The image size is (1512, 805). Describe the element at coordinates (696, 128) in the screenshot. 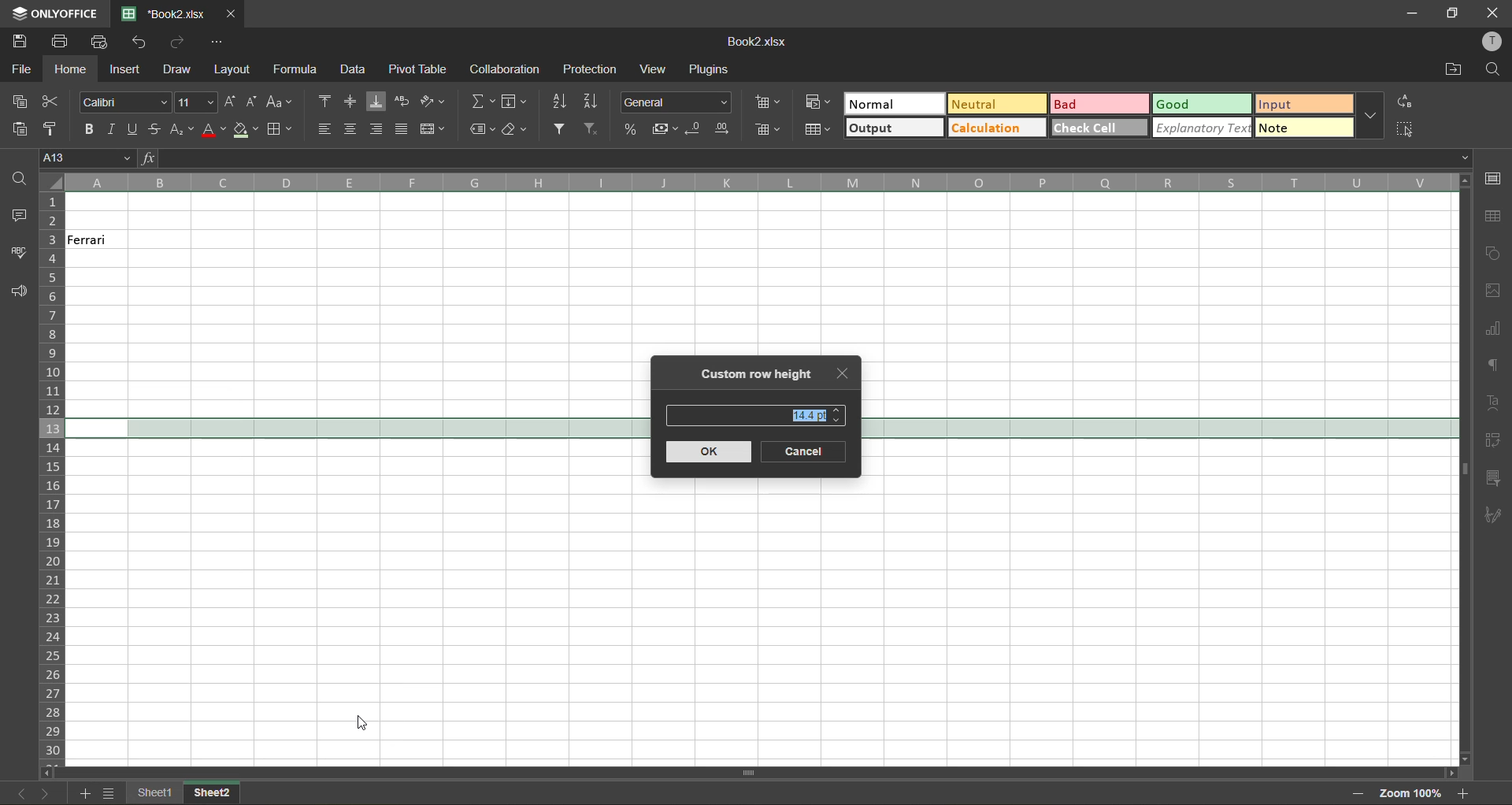

I see `decrease decimal` at that location.